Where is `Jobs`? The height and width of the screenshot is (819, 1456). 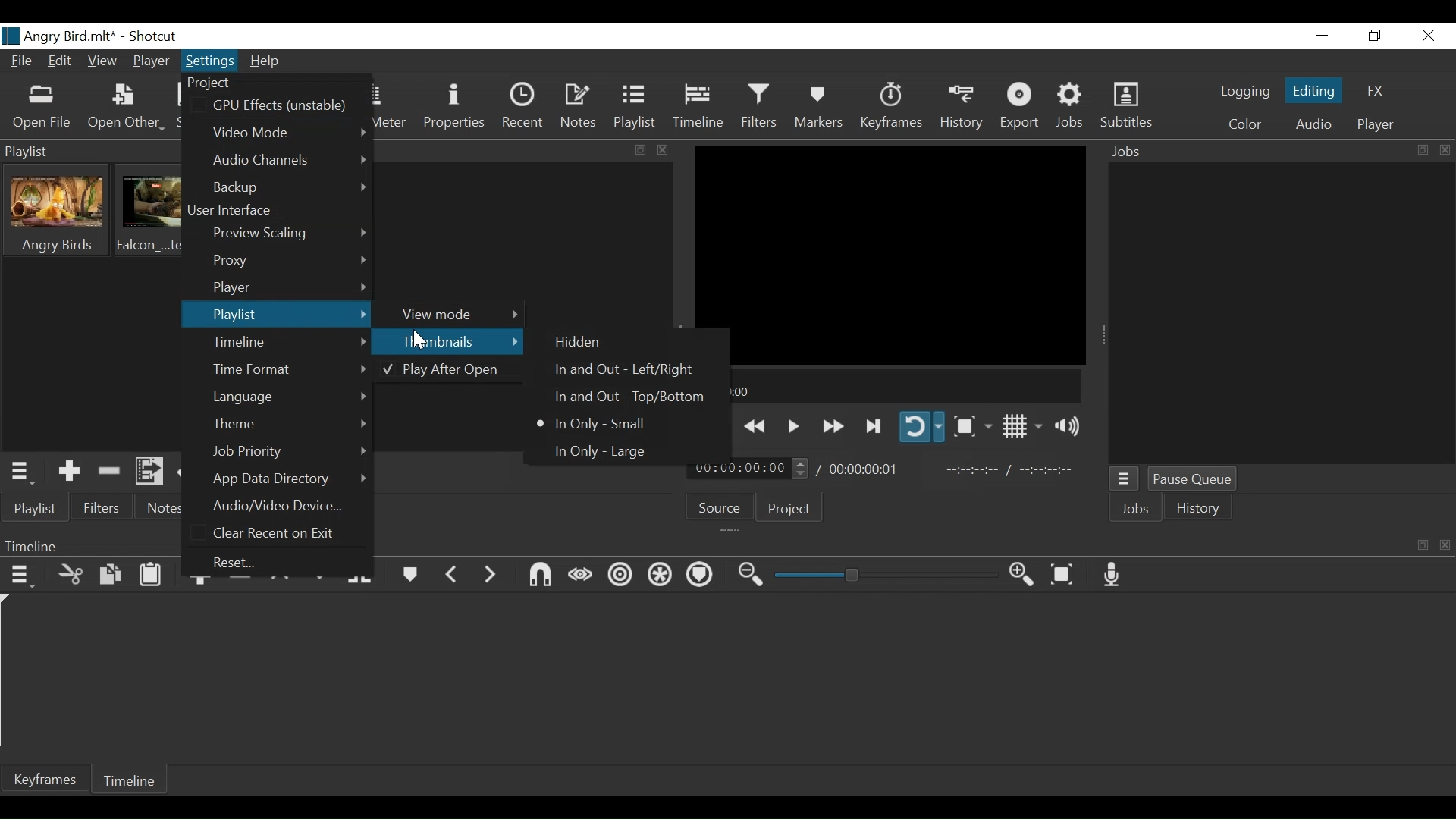 Jobs is located at coordinates (1071, 108).